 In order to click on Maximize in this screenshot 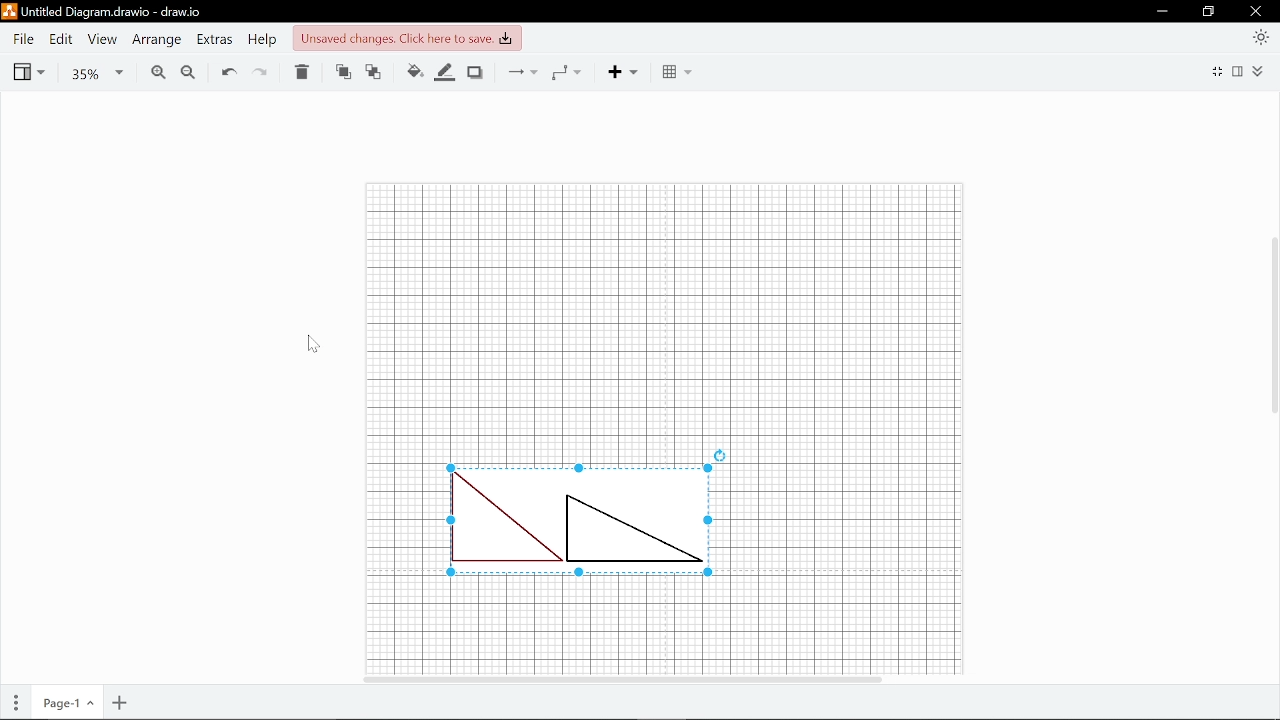, I will do `click(1206, 11)`.